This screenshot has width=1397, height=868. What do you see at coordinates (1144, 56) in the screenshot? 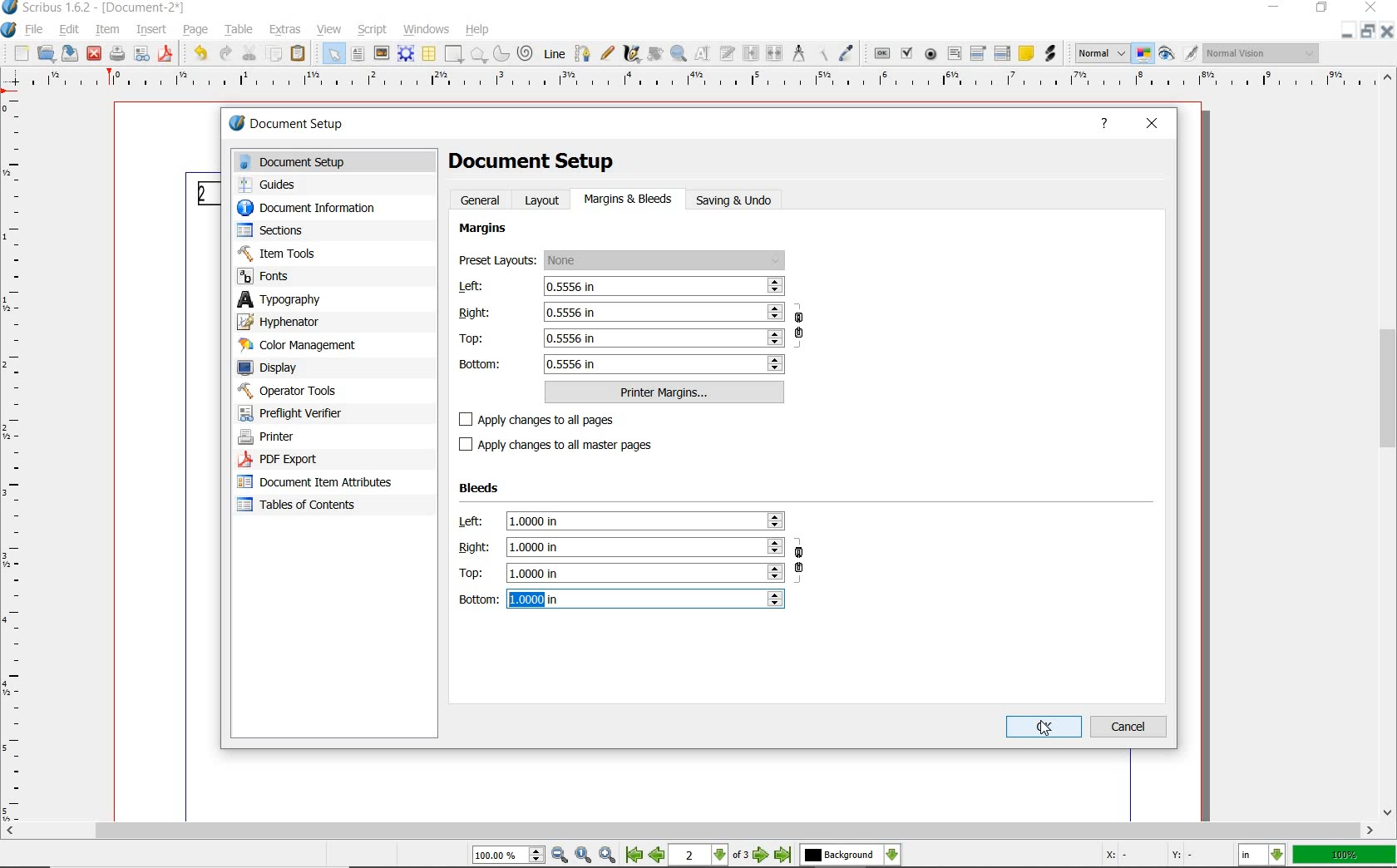
I see `toggle color management` at bounding box center [1144, 56].